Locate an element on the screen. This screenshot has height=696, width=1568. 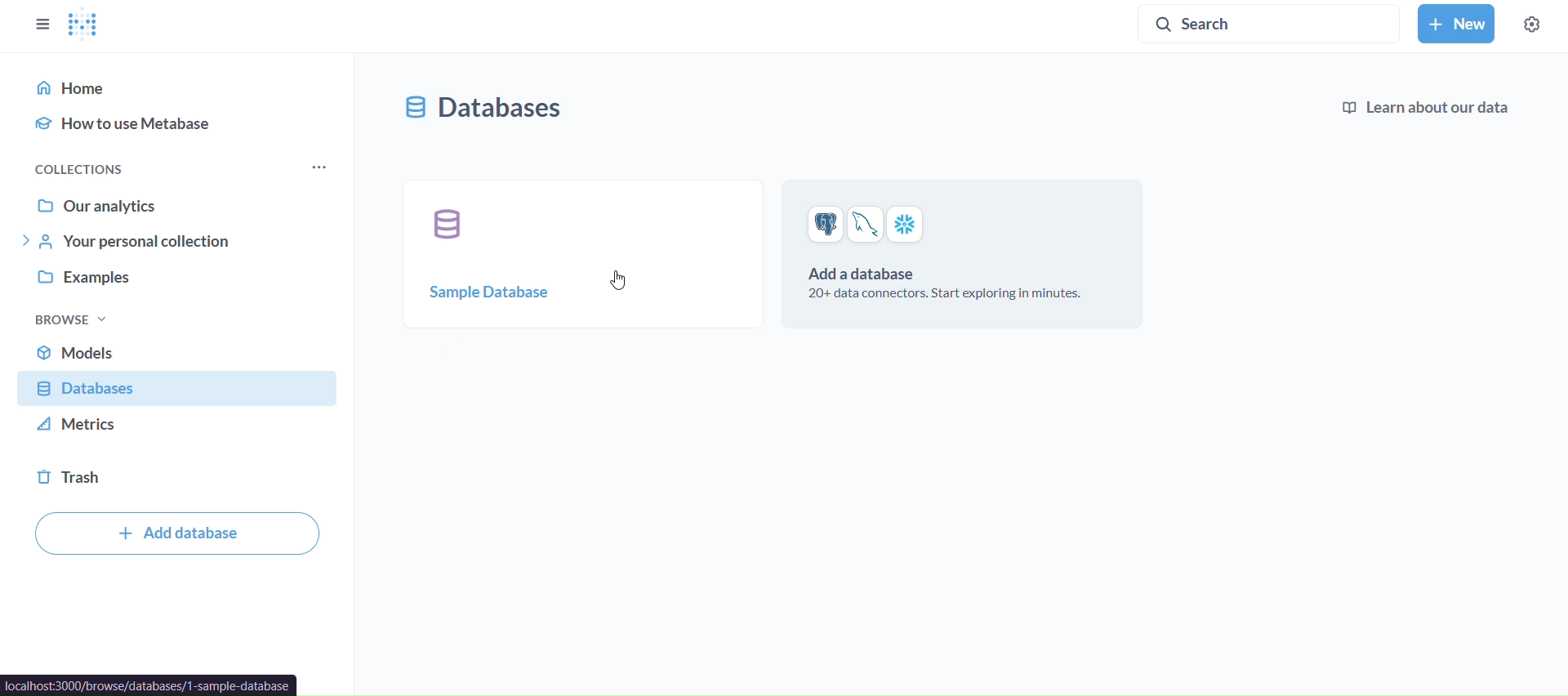
url is located at coordinates (149, 685).